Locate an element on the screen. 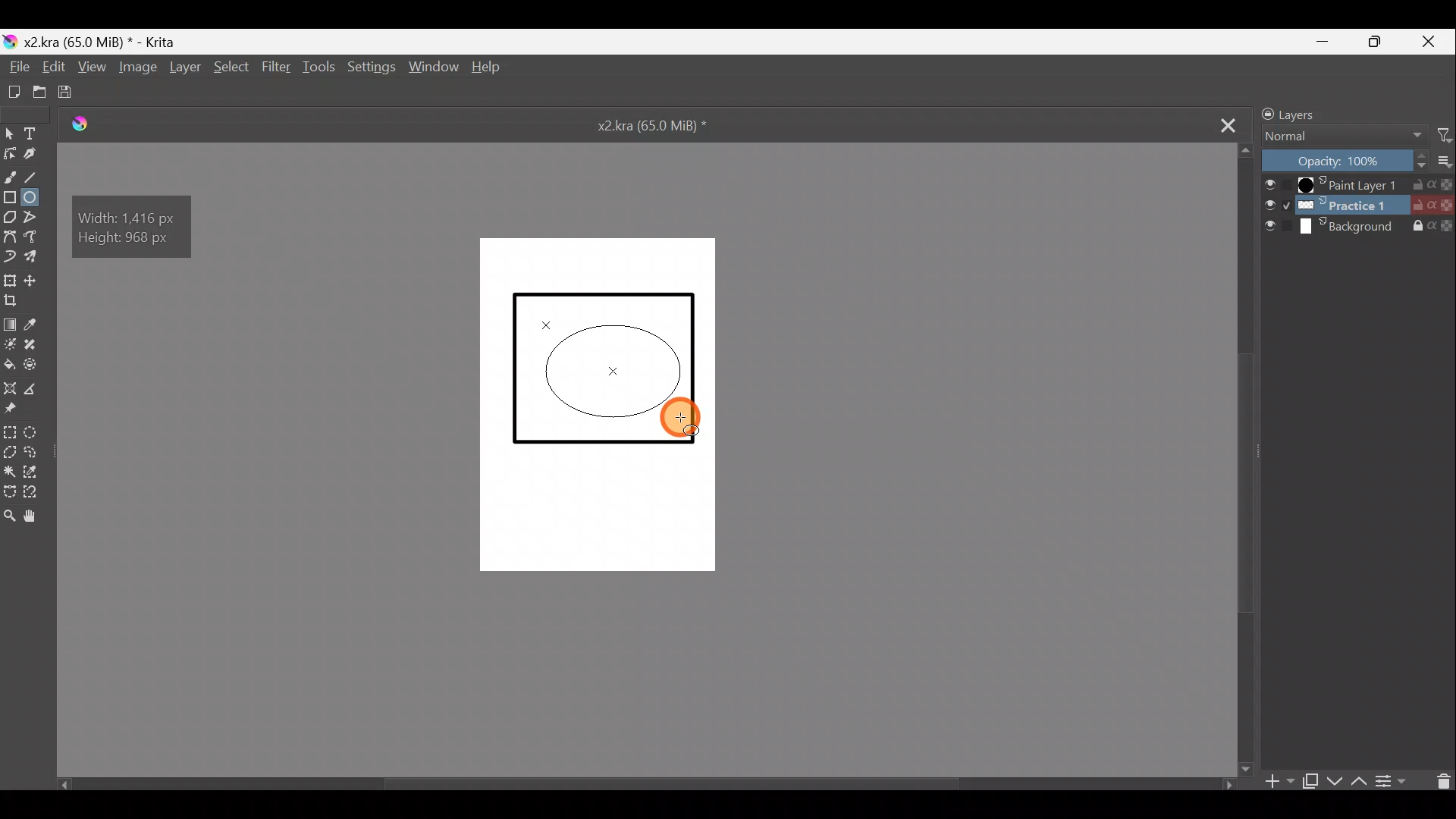 The image size is (1456, 819). Filter is located at coordinates (1438, 136).